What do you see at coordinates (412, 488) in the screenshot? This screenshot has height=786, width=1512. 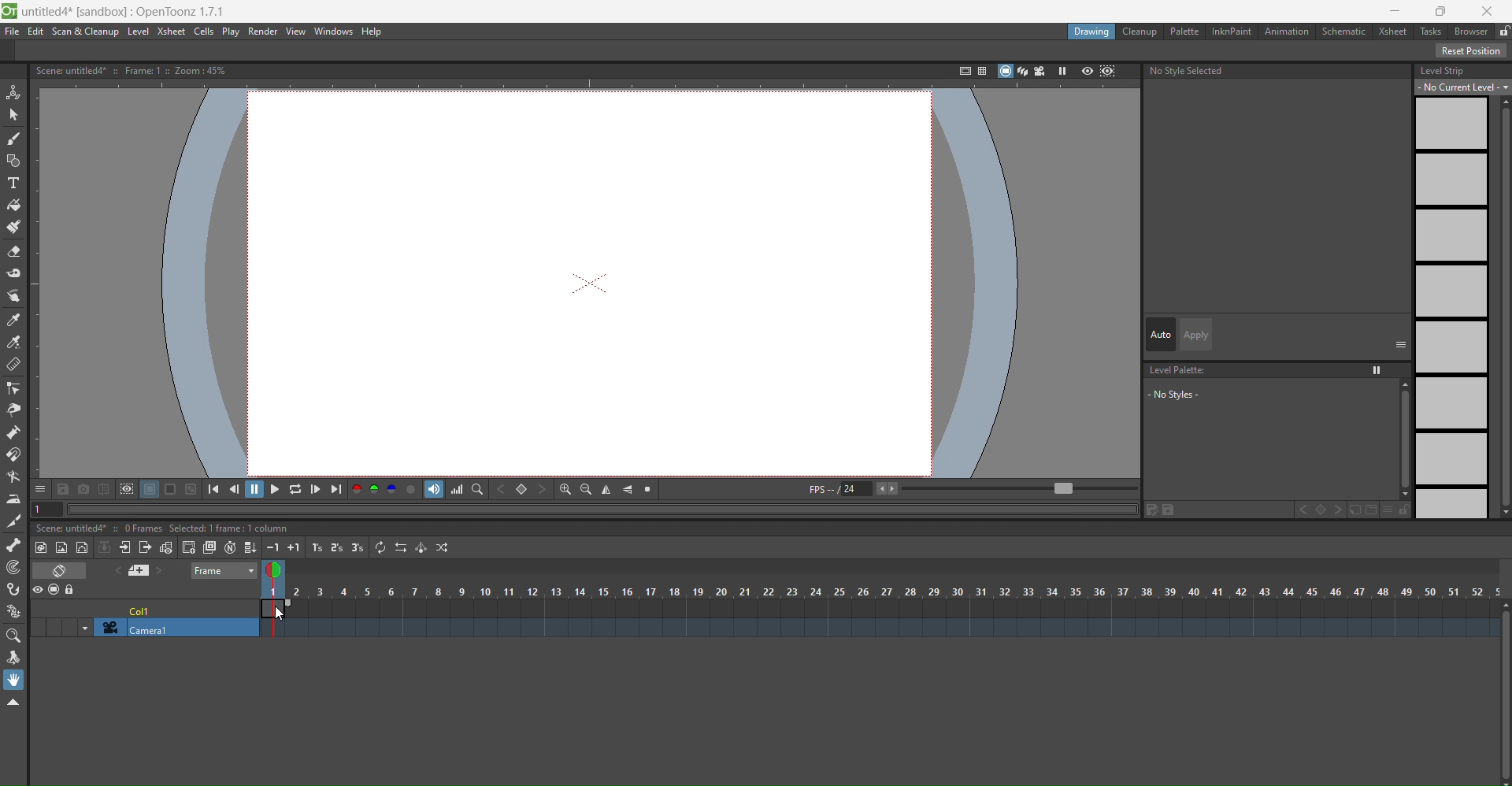 I see `alpha chanel` at bounding box center [412, 488].